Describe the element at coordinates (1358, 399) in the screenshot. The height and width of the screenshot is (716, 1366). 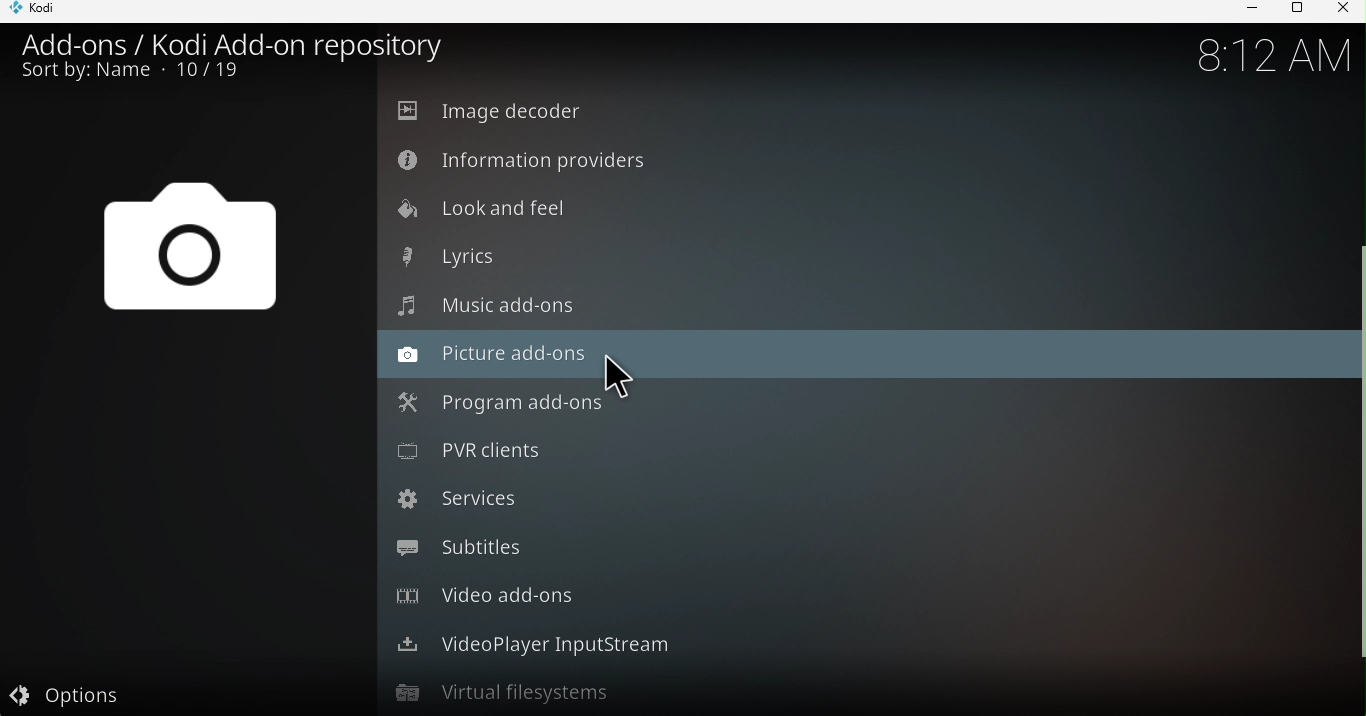
I see `Scroll bar` at that location.